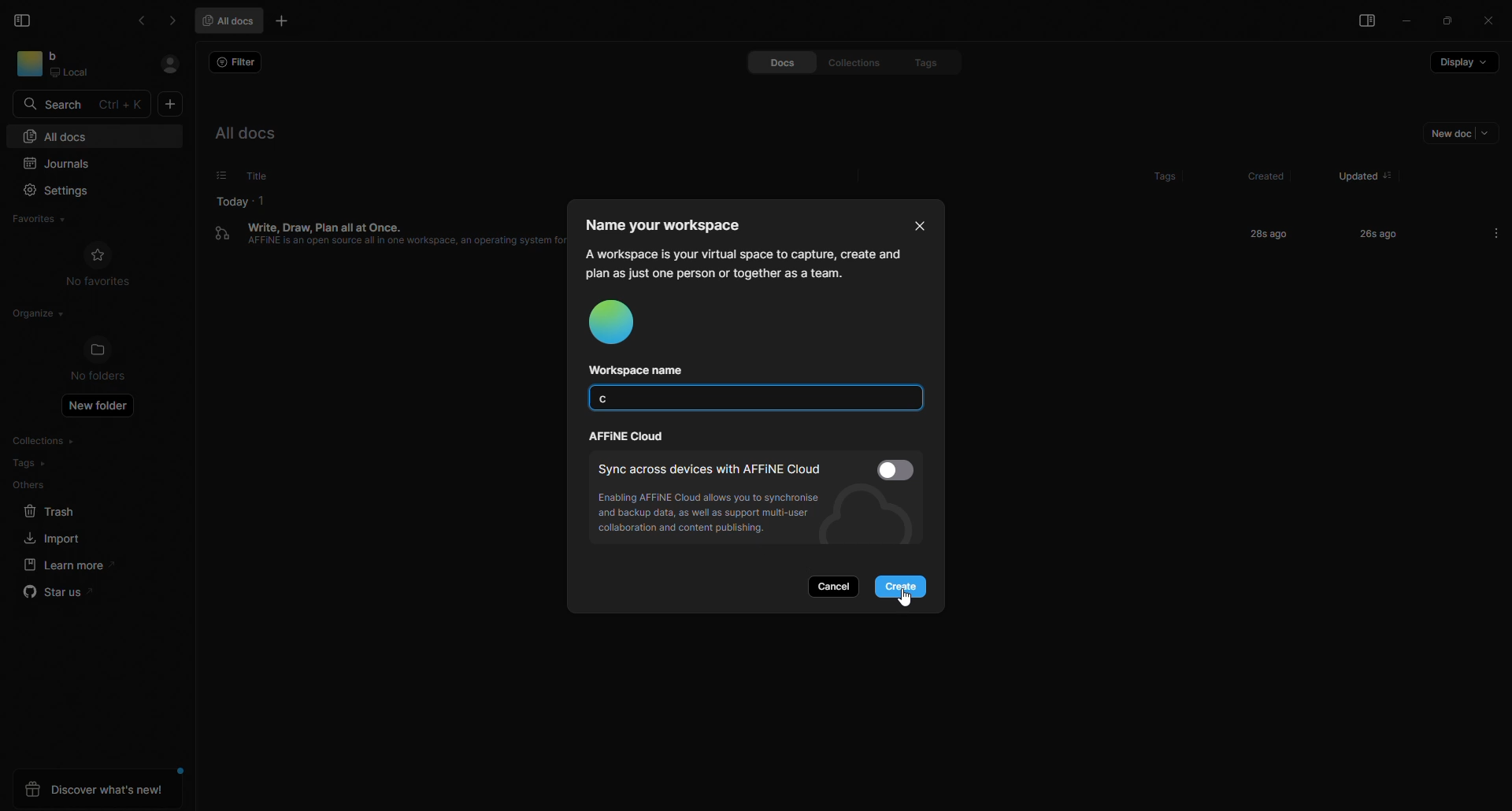 This screenshot has height=811, width=1512. I want to click on write draw pull, so click(387, 245).